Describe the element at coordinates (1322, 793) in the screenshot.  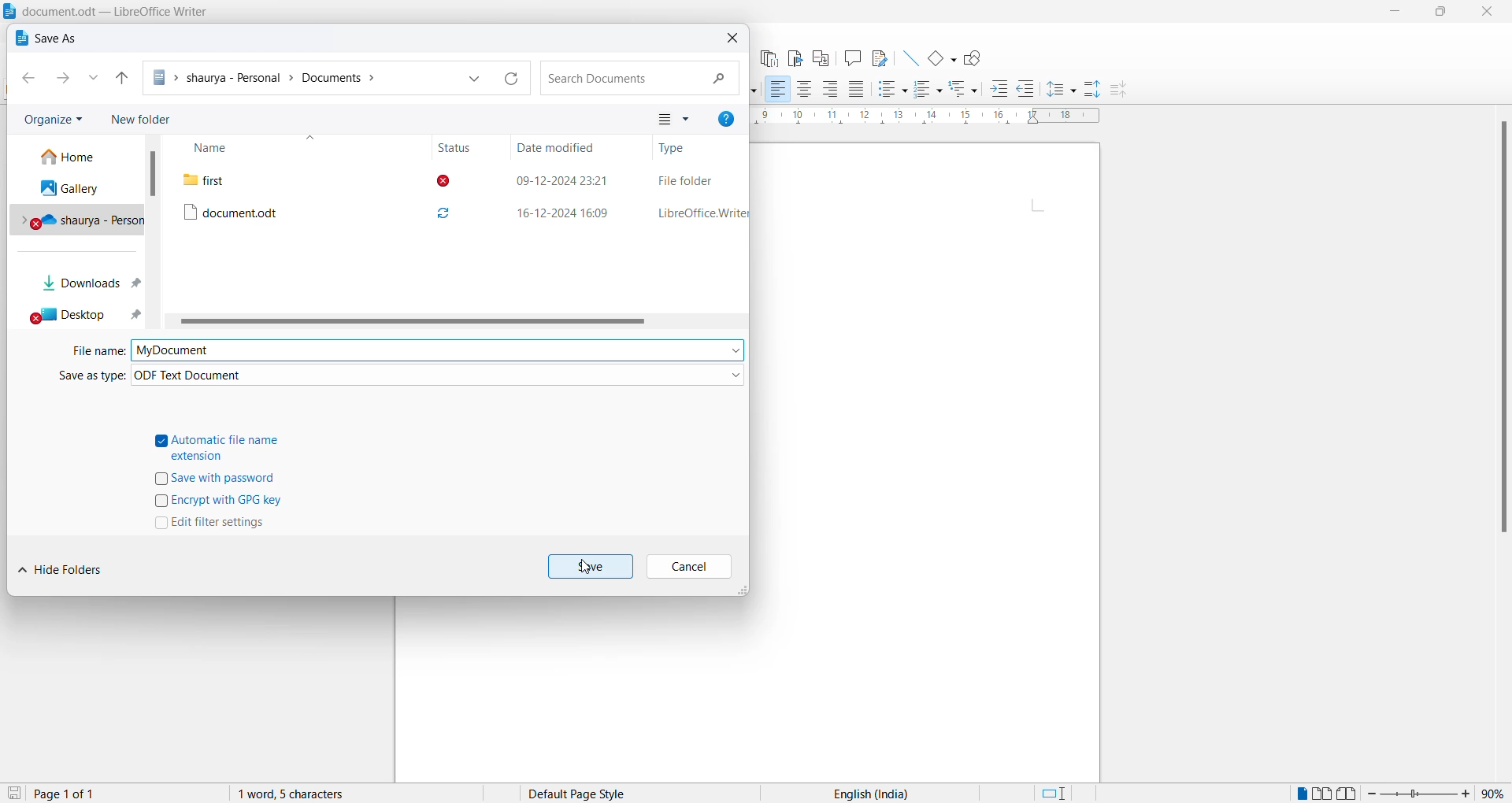
I see `Multipage view` at that location.